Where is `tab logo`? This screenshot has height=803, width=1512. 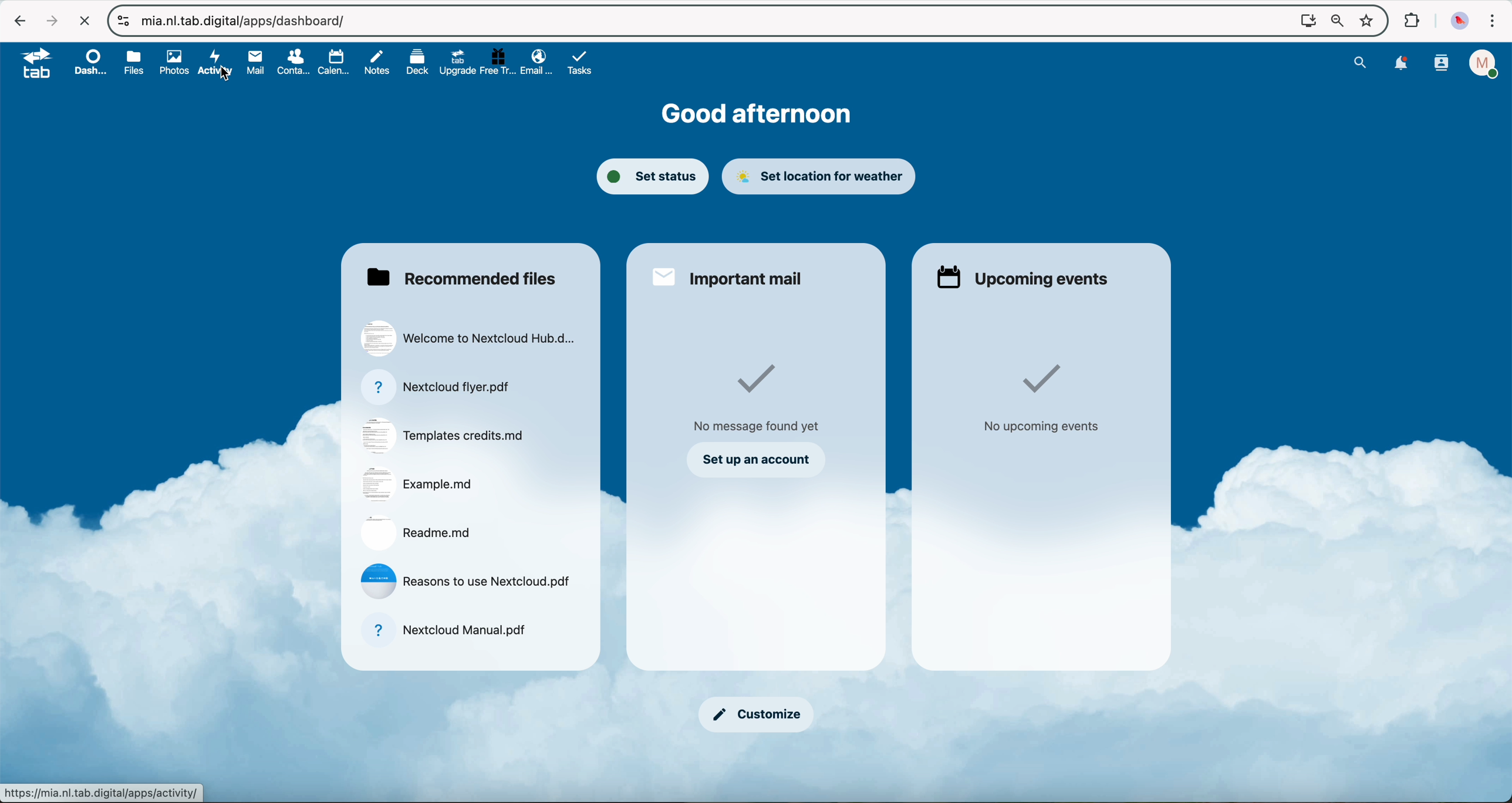
tab logo is located at coordinates (31, 64).